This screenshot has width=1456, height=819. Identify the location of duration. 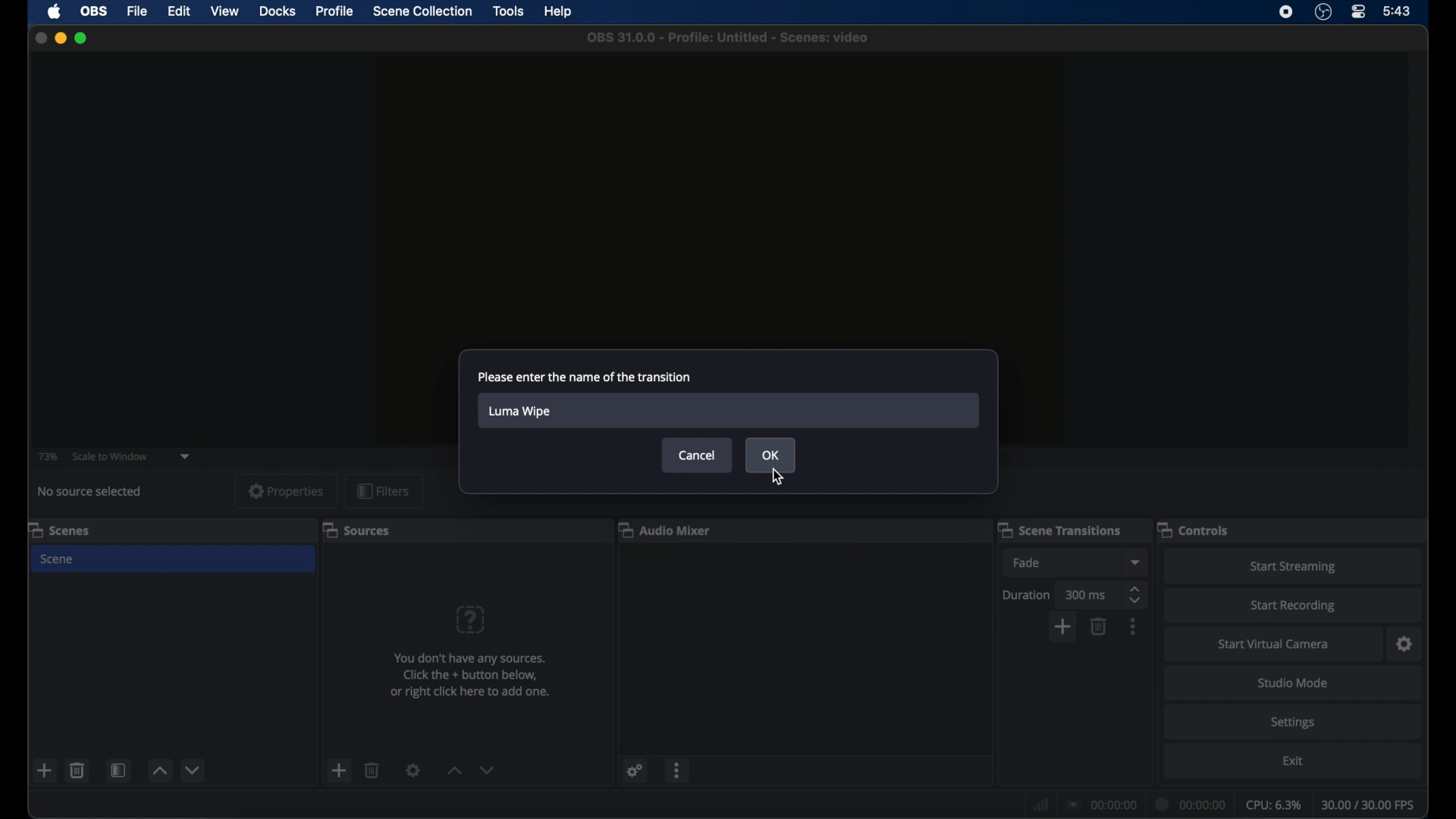
(1191, 805).